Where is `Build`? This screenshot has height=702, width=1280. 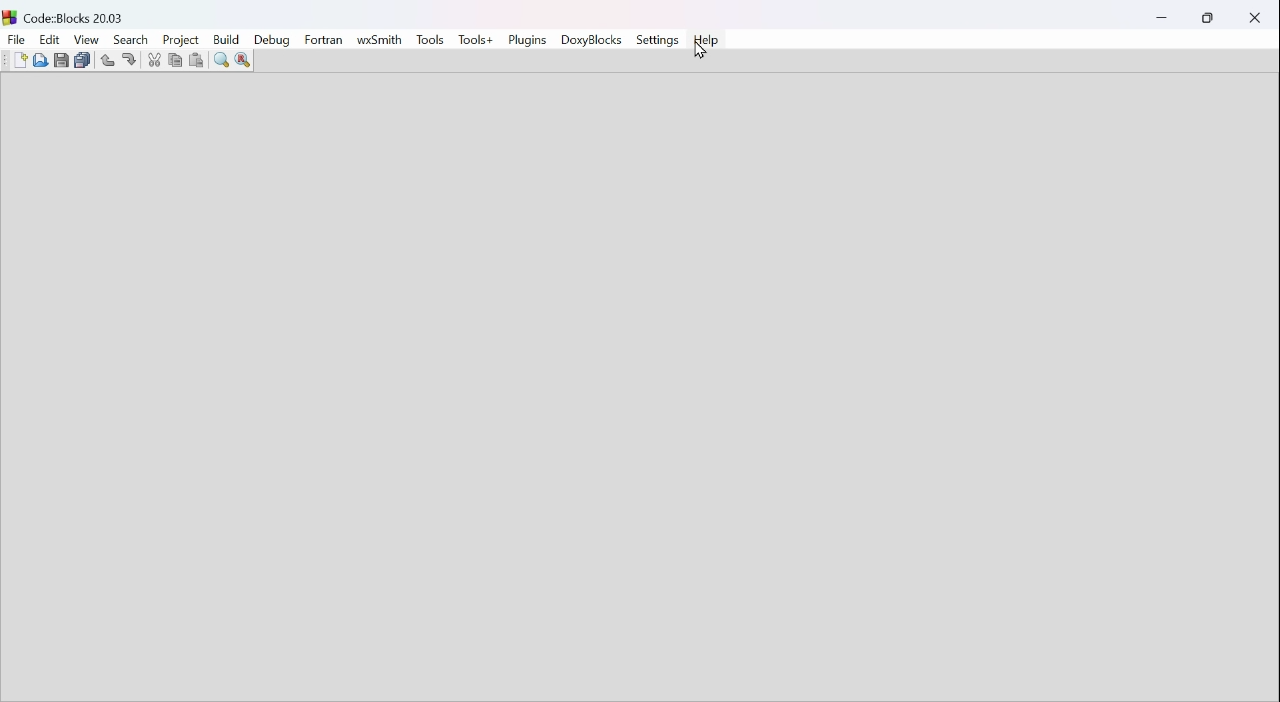
Build is located at coordinates (226, 40).